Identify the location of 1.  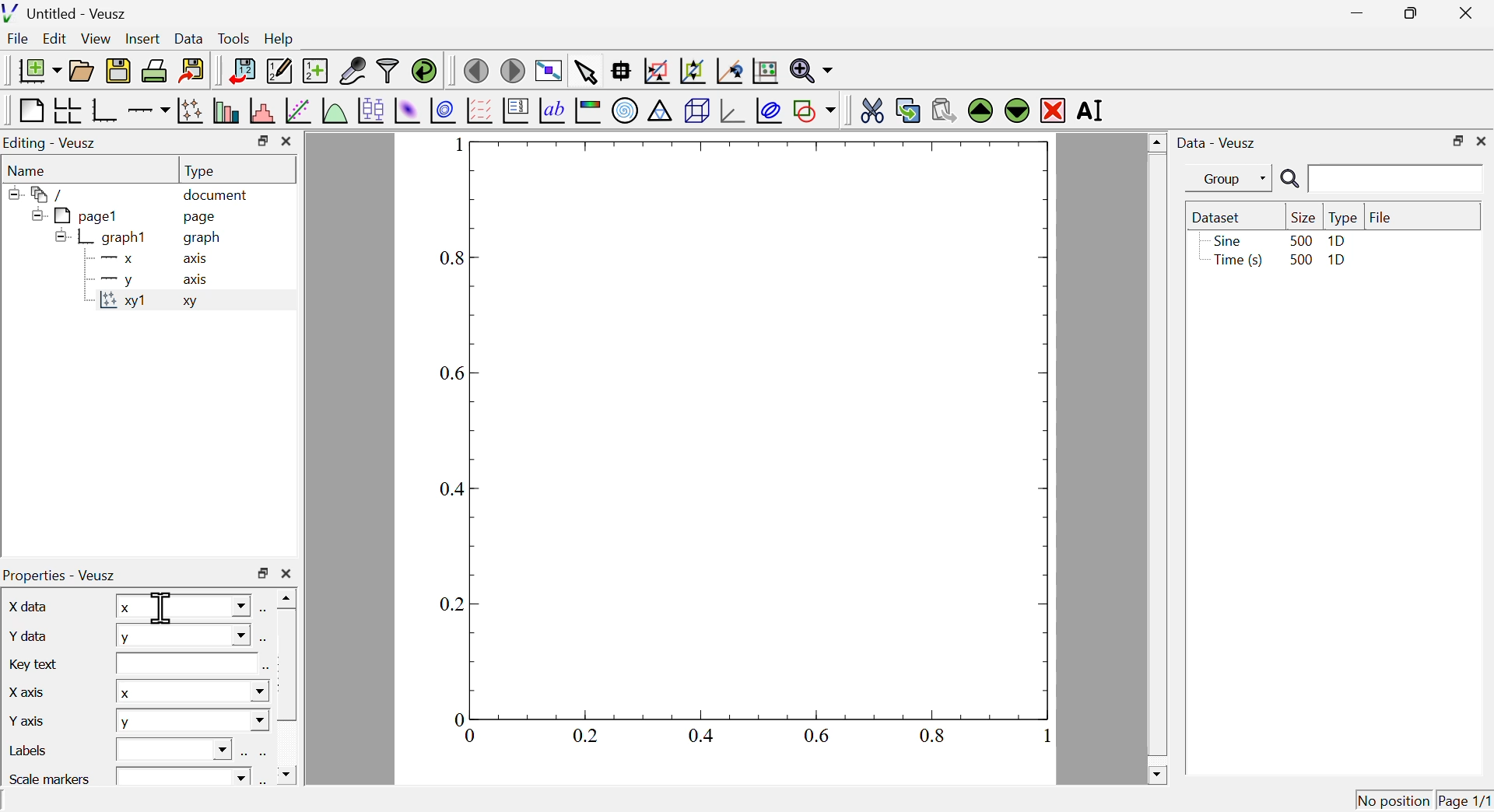
(1039, 736).